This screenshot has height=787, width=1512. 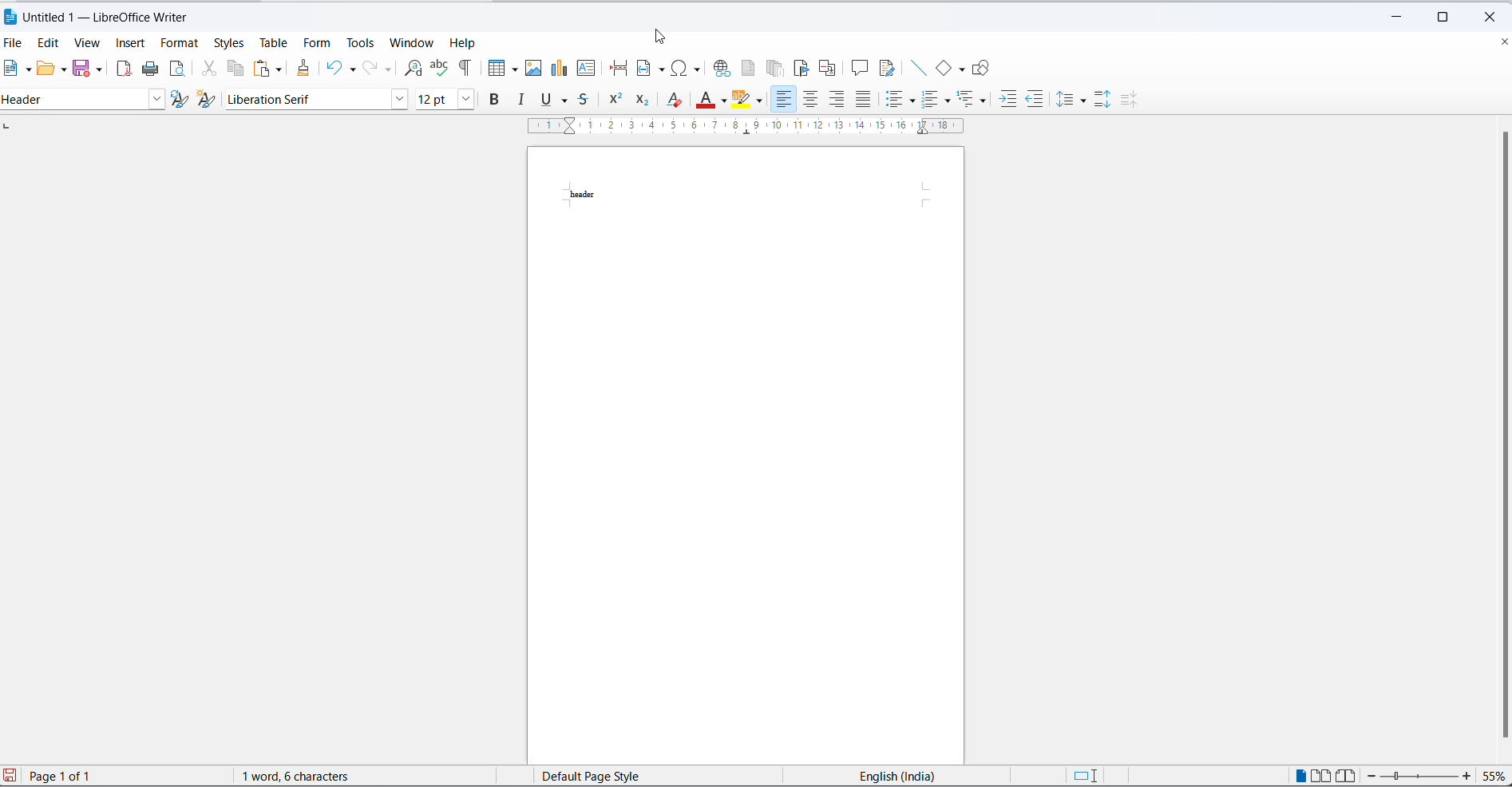 What do you see at coordinates (369, 69) in the screenshot?
I see `redo` at bounding box center [369, 69].